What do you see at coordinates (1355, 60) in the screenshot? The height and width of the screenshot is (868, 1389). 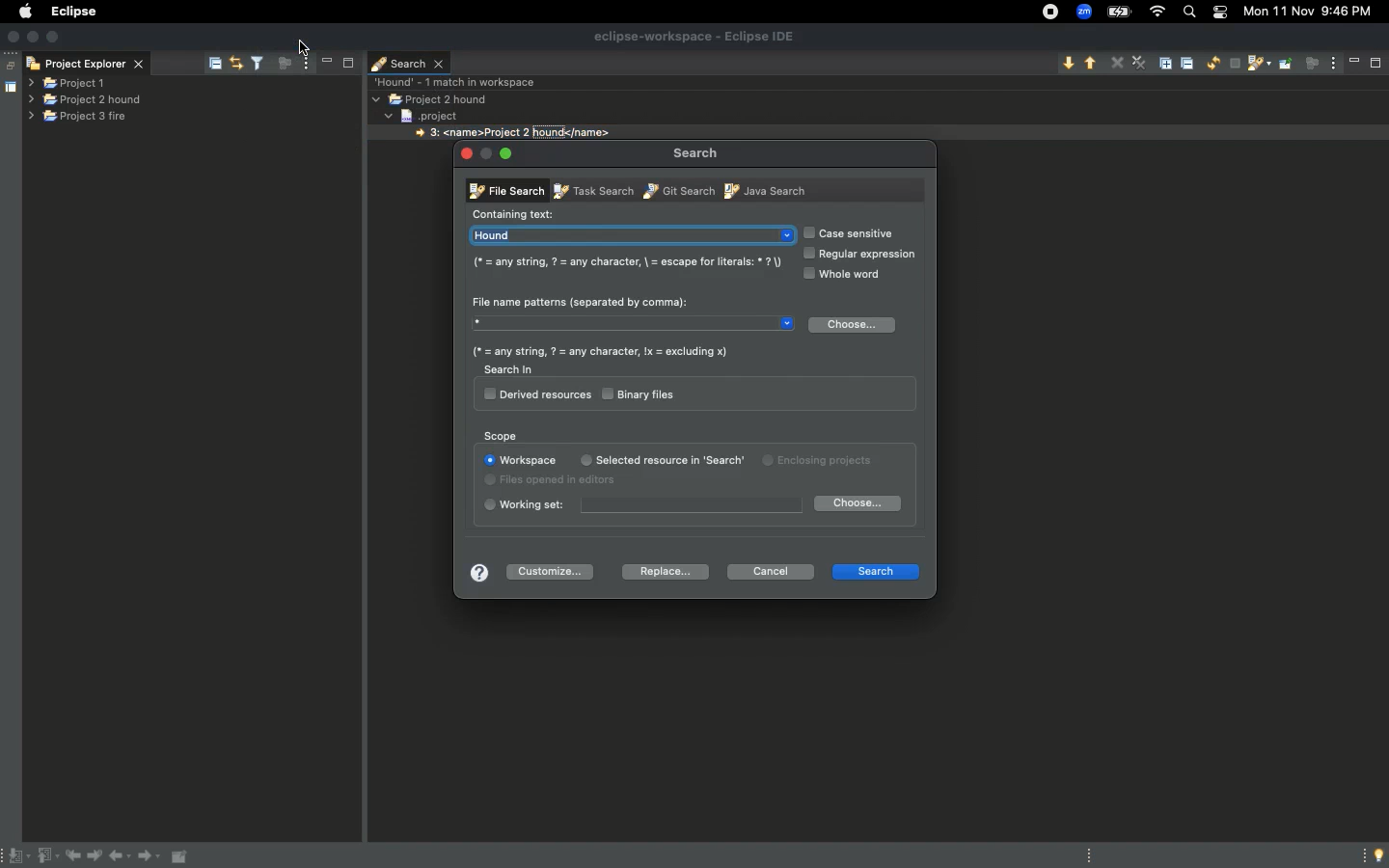 I see `minimise` at bounding box center [1355, 60].